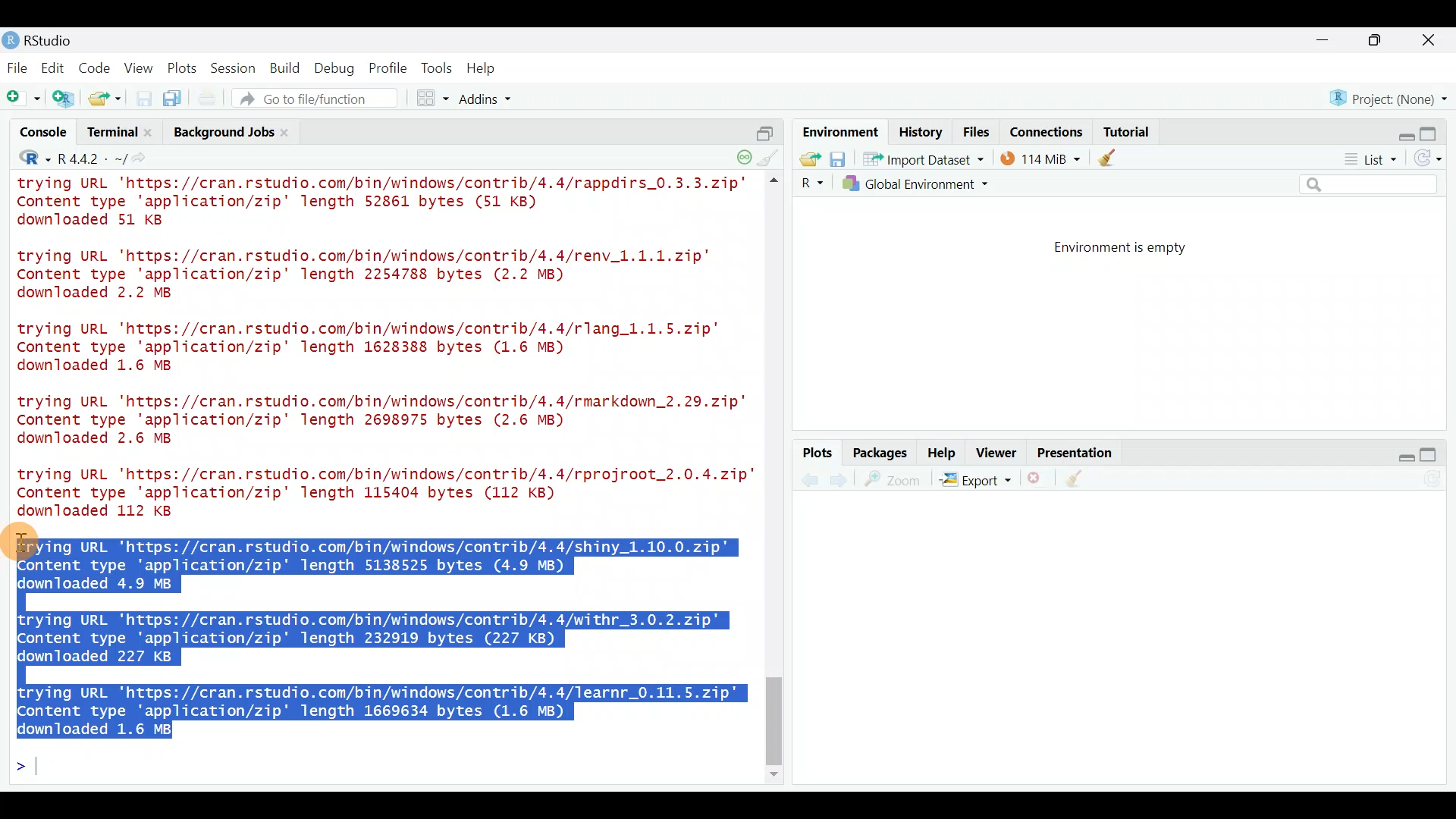 Image resolution: width=1456 pixels, height=819 pixels. What do you see at coordinates (809, 480) in the screenshot?
I see `next plot` at bounding box center [809, 480].